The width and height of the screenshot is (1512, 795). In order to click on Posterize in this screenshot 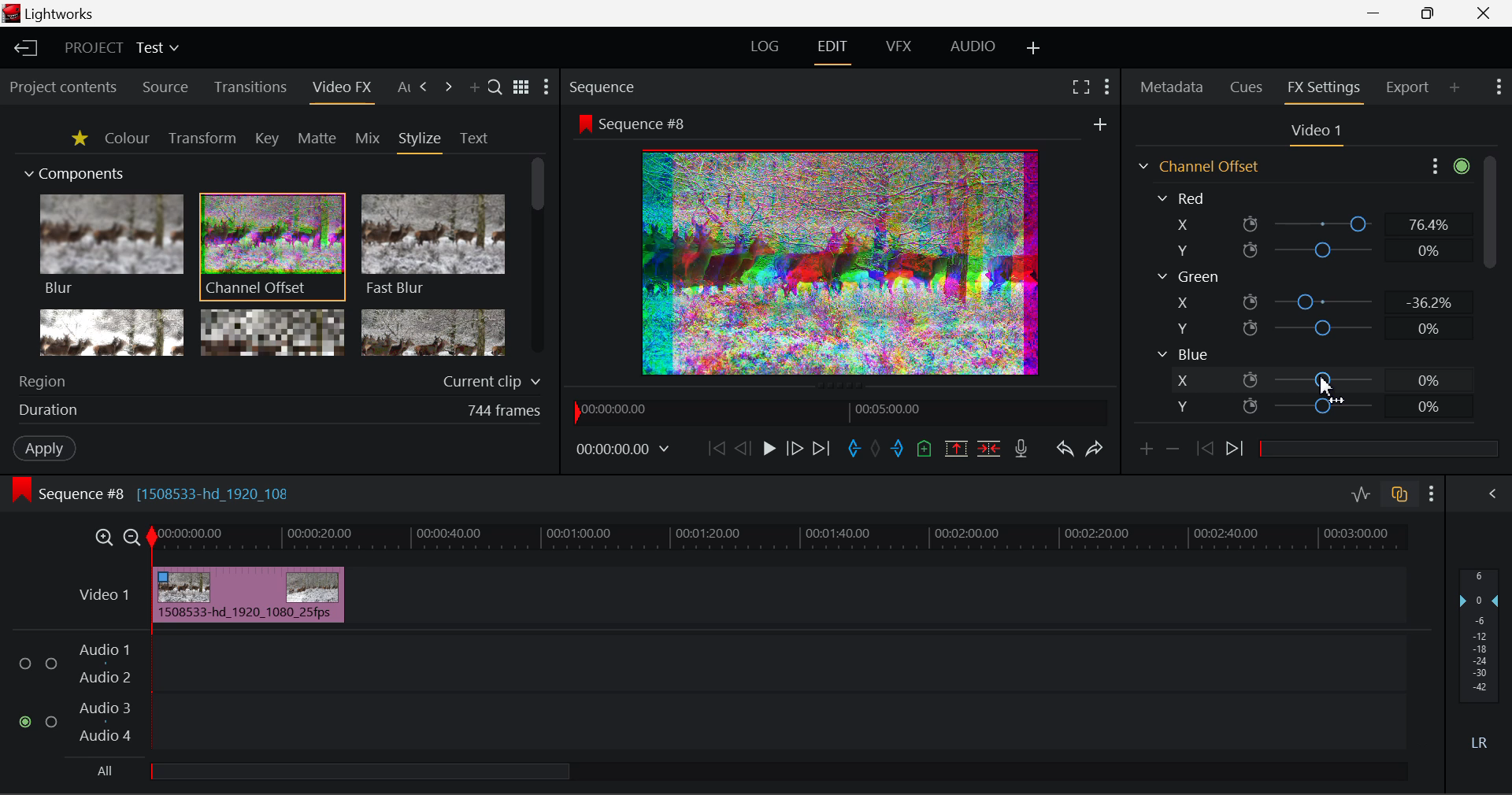, I will do `click(433, 331)`.